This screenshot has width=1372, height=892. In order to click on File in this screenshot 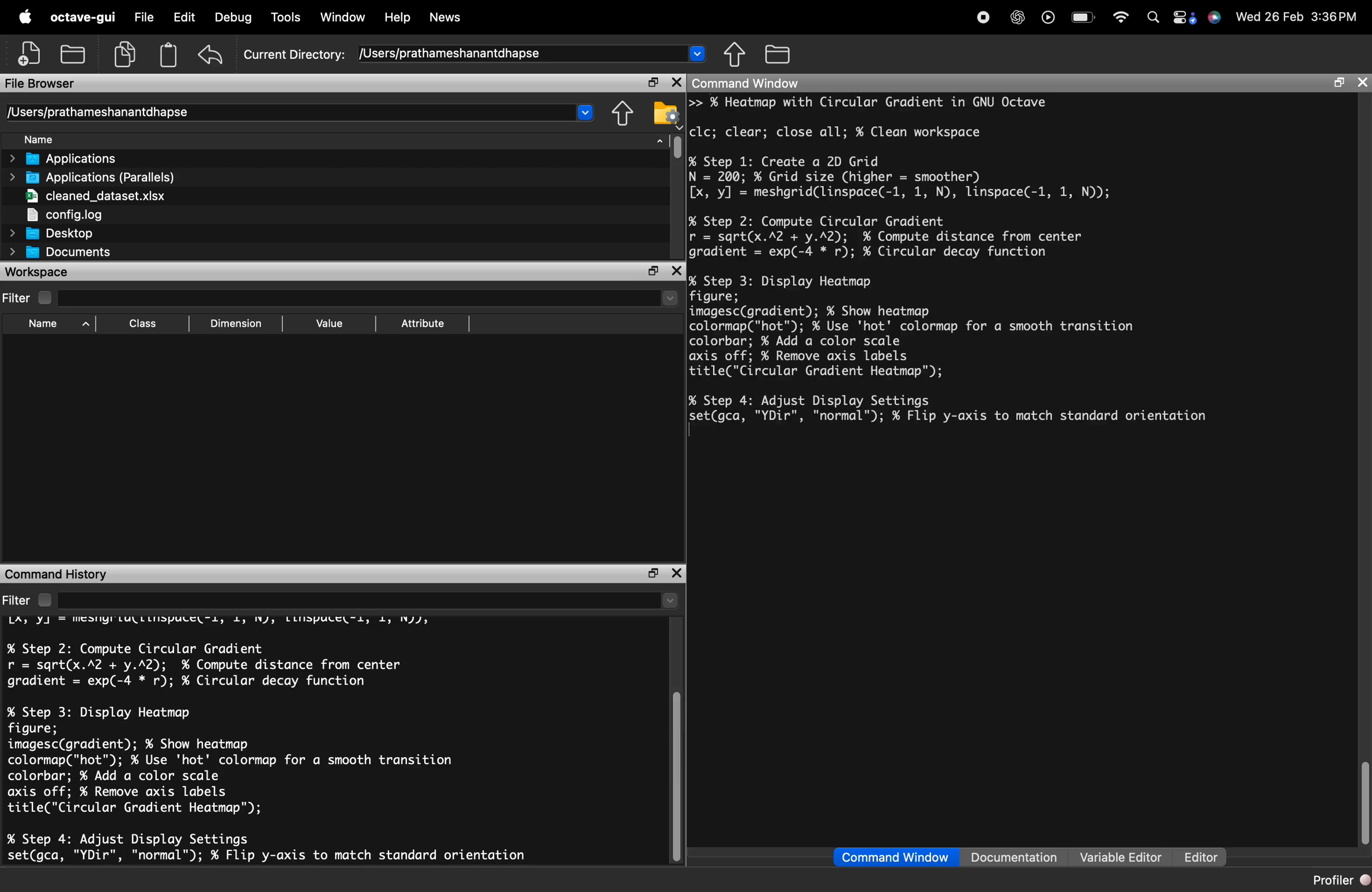, I will do `click(144, 17)`.